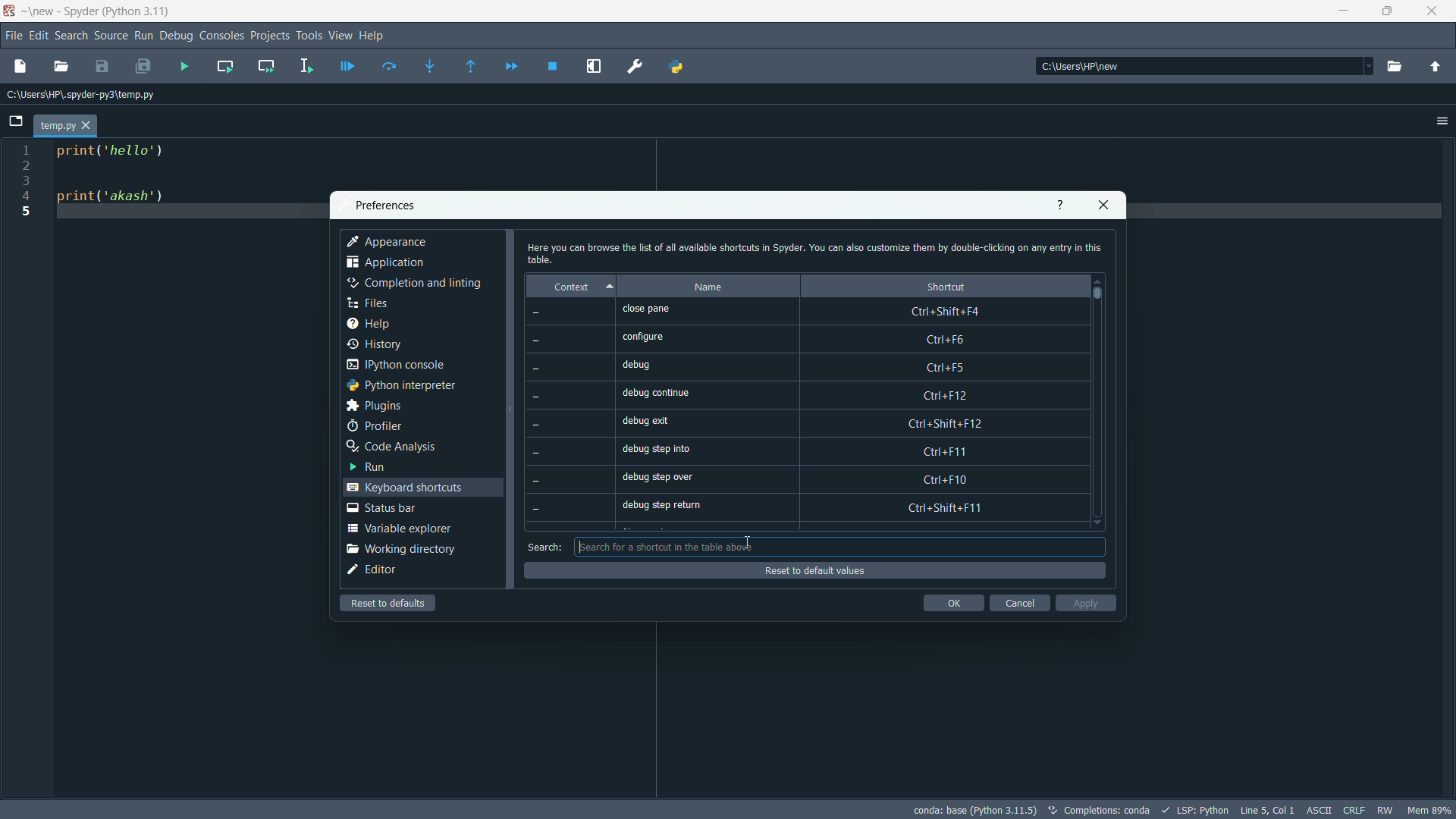 The width and height of the screenshot is (1456, 819). Describe the element at coordinates (400, 385) in the screenshot. I see `python interpreter ` at that location.